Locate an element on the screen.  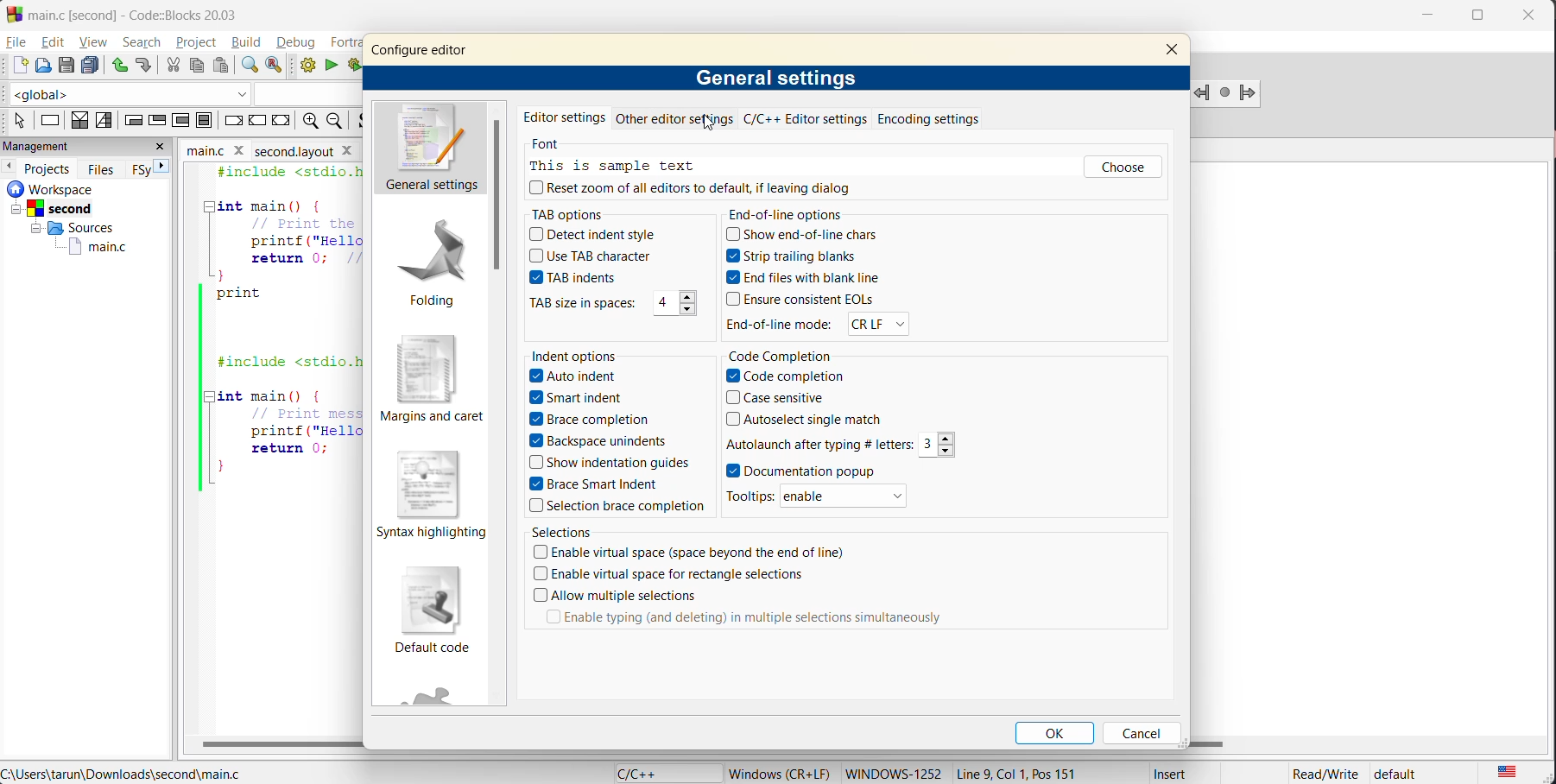
copy is located at coordinates (198, 66).